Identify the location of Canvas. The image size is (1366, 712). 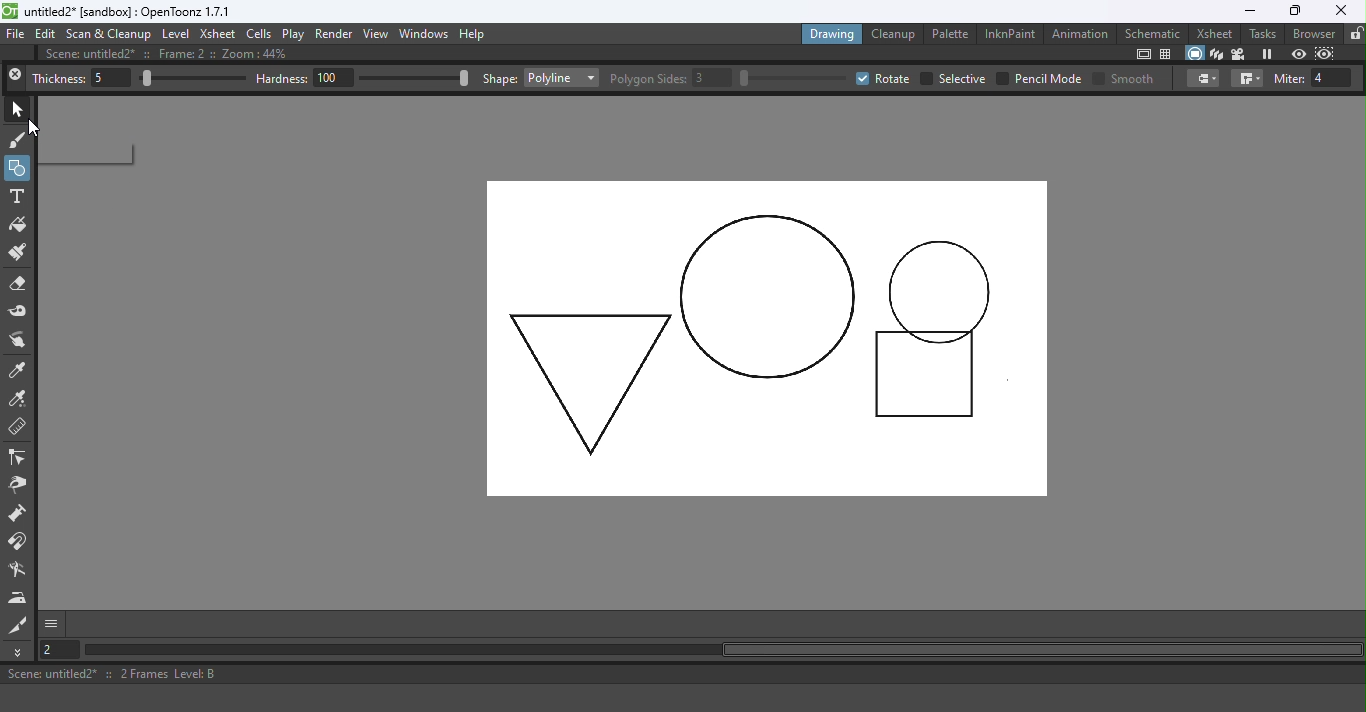
(770, 339).